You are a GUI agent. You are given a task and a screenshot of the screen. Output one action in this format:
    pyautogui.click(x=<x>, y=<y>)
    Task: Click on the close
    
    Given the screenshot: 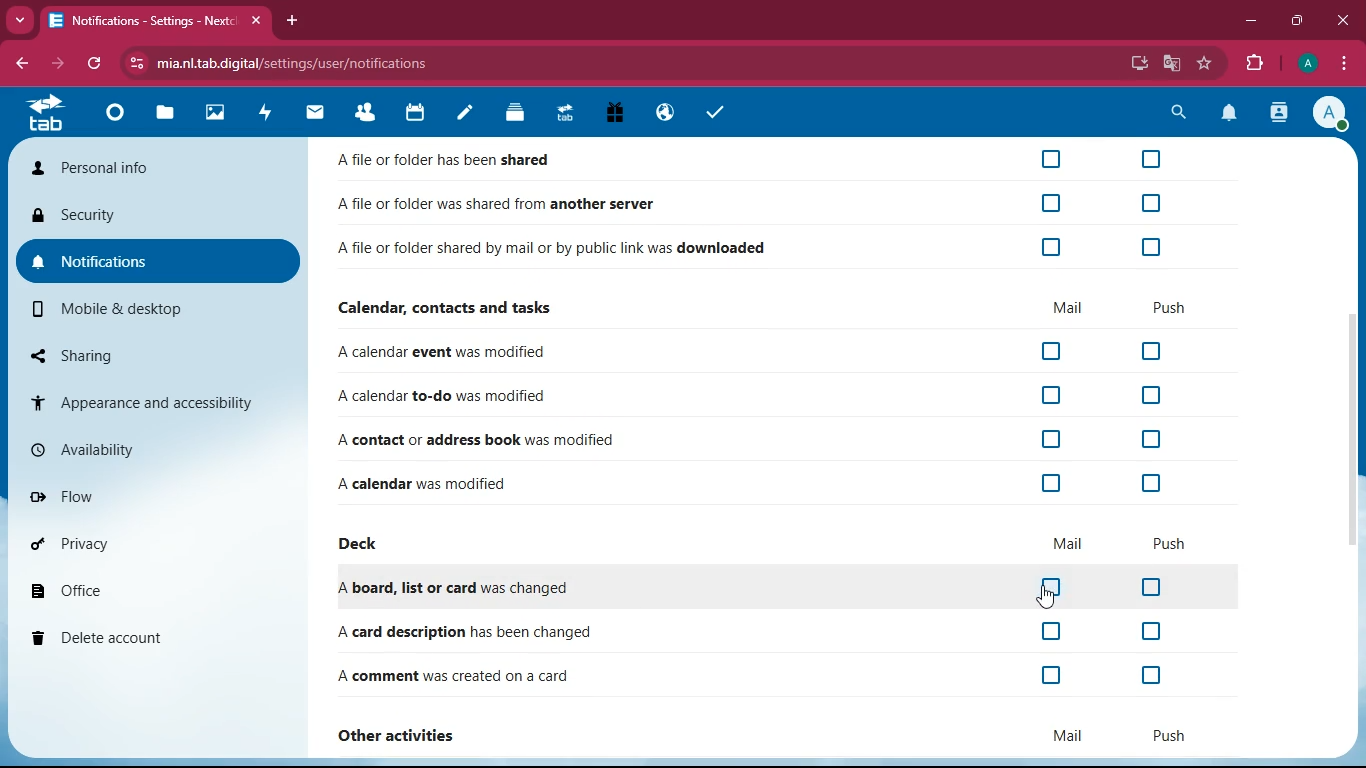 What is the action you would take?
    pyautogui.click(x=260, y=21)
    